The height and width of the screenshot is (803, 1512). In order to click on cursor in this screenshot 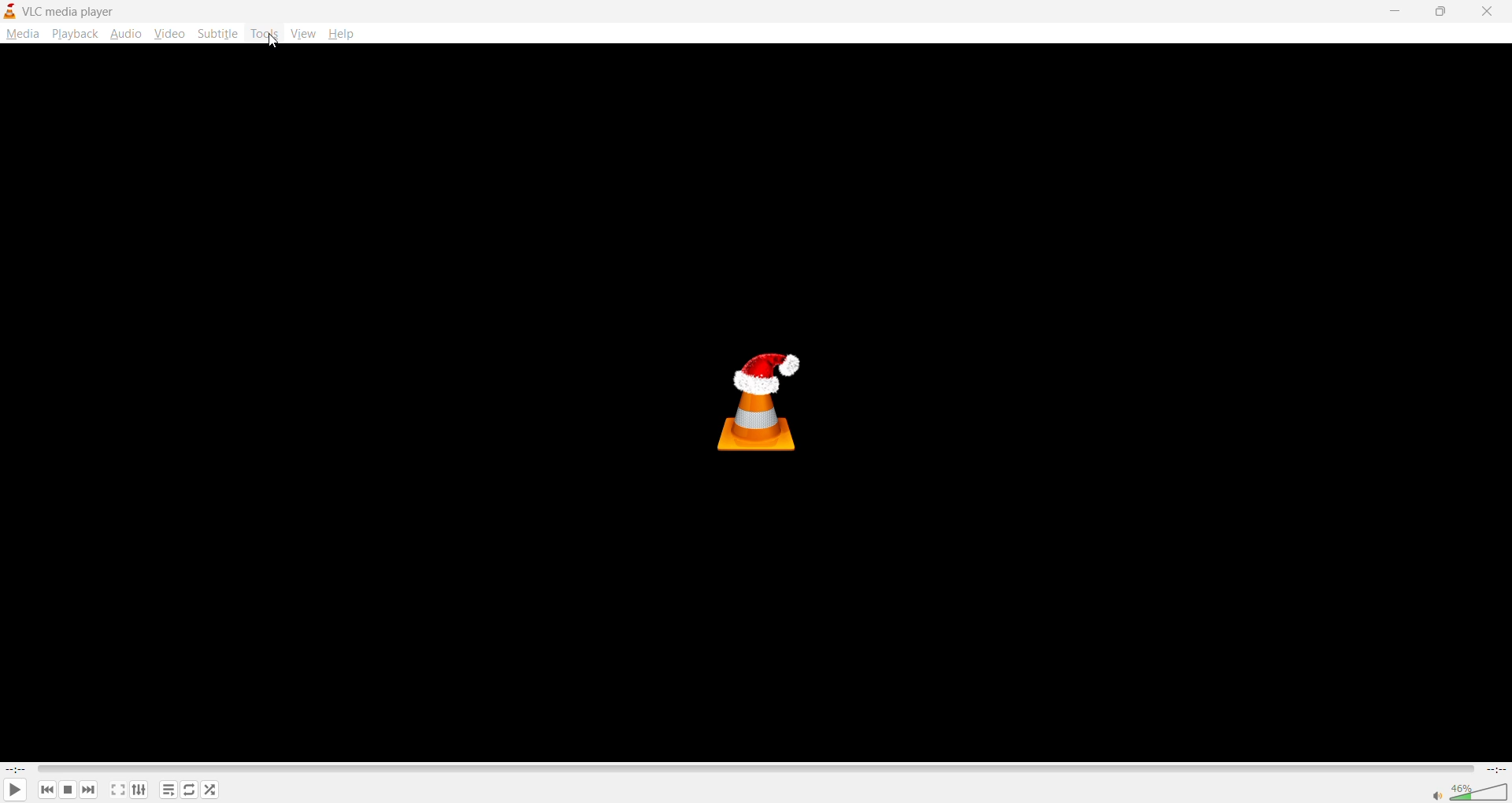, I will do `click(274, 43)`.